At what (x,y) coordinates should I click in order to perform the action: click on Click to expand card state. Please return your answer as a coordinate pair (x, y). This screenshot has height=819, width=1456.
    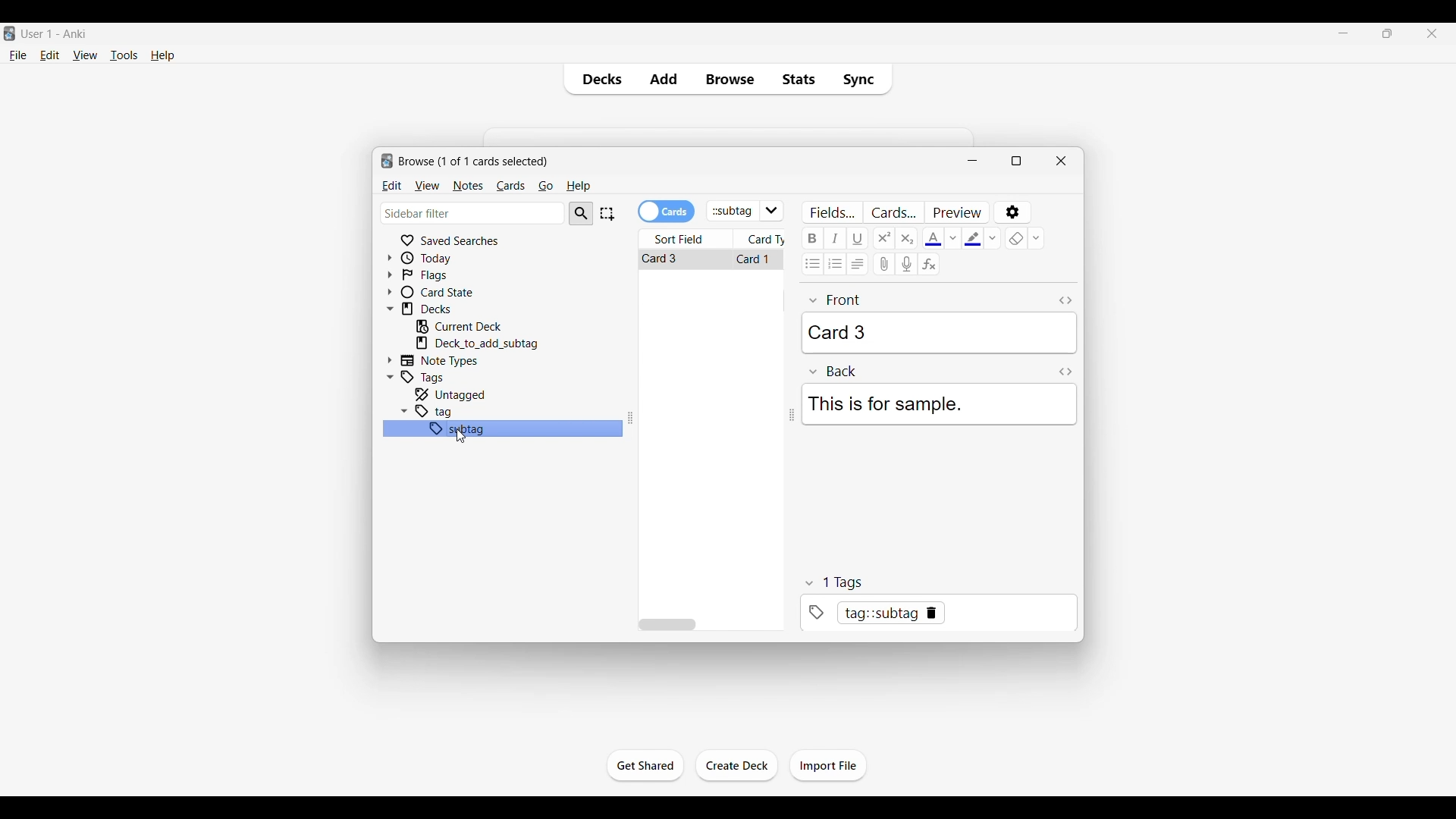
    Looking at the image, I should click on (390, 292).